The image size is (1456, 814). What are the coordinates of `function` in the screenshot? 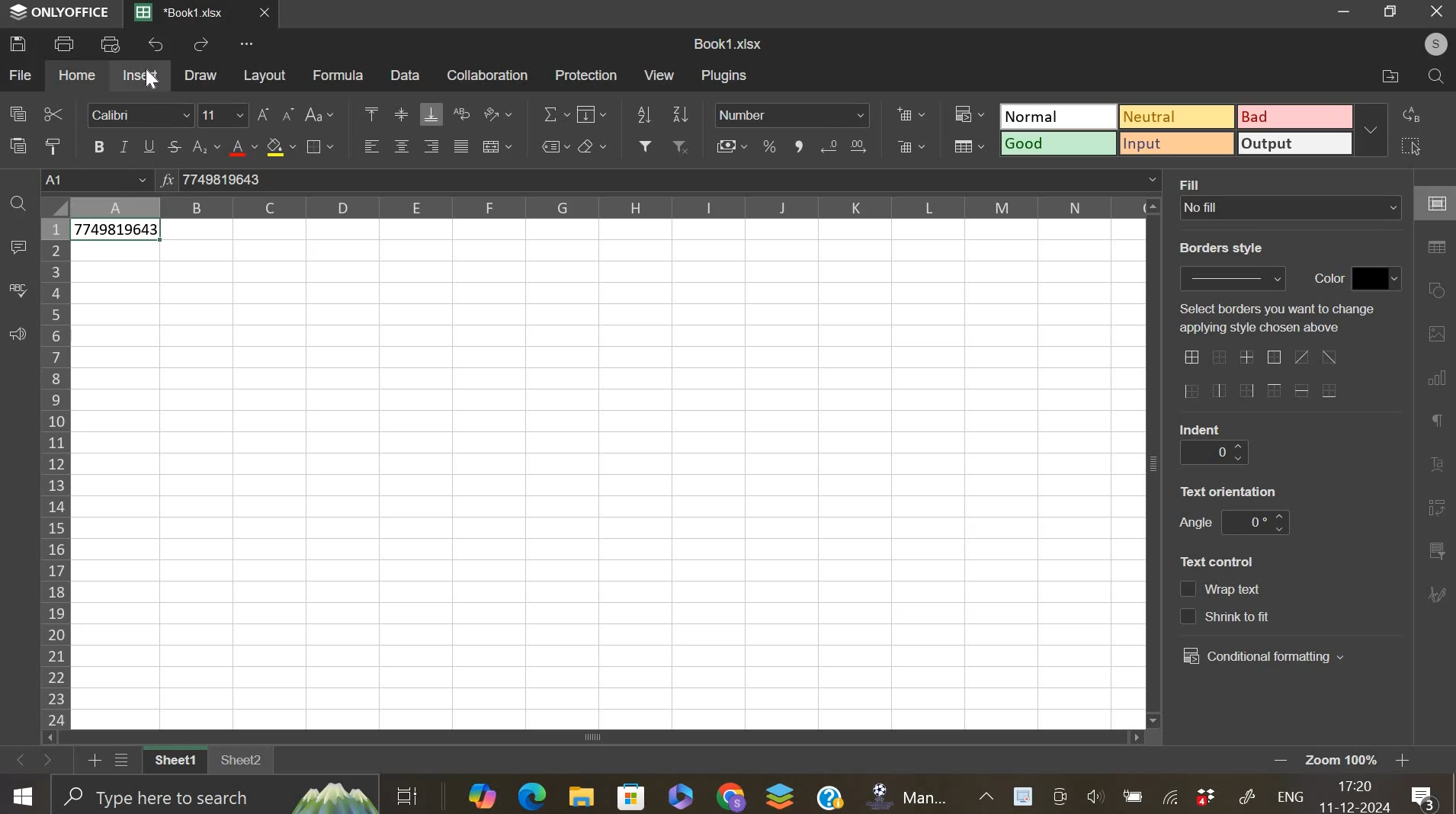 It's located at (165, 178).